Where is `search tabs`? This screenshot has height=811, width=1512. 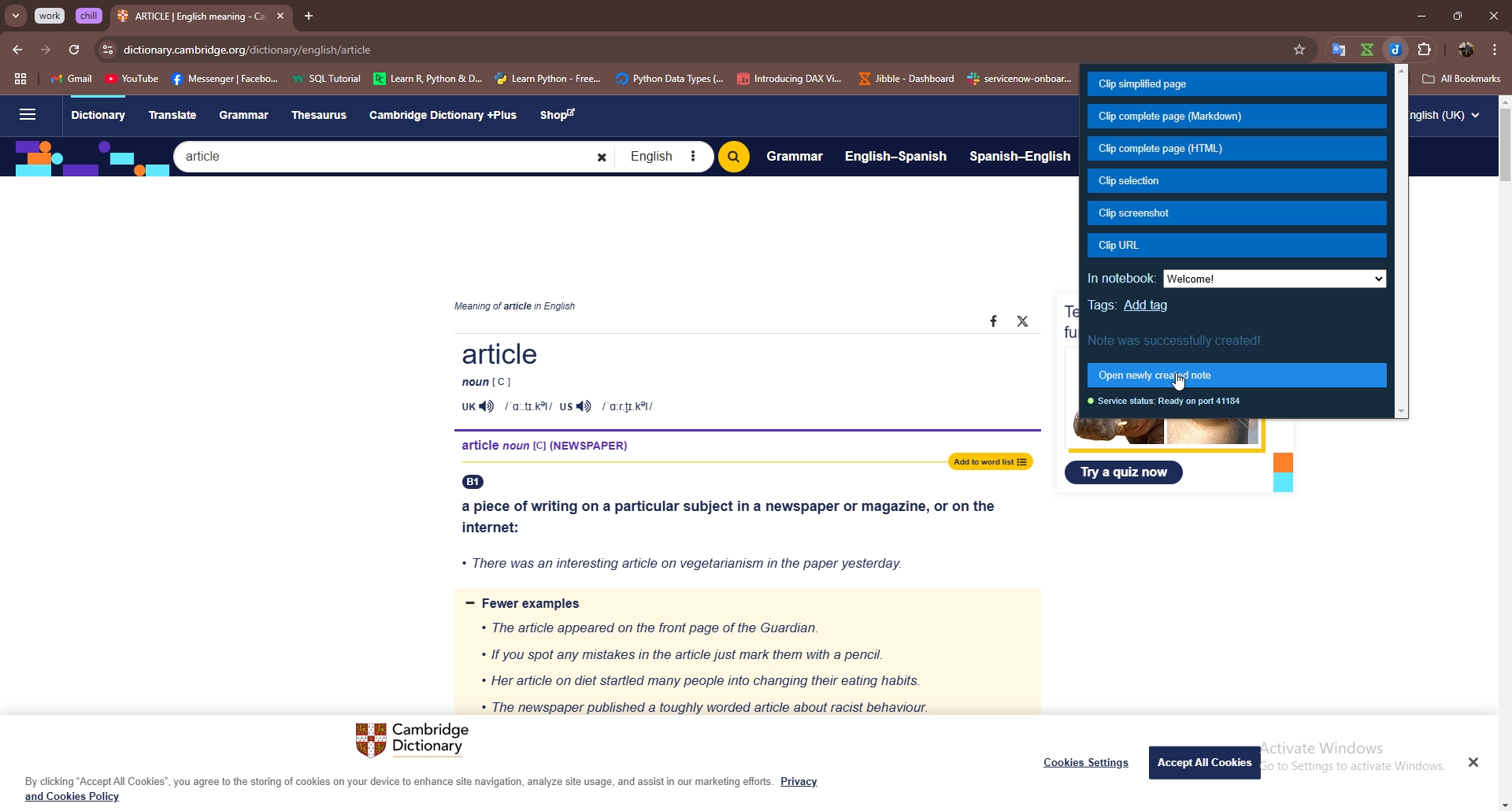 search tabs is located at coordinates (17, 17).